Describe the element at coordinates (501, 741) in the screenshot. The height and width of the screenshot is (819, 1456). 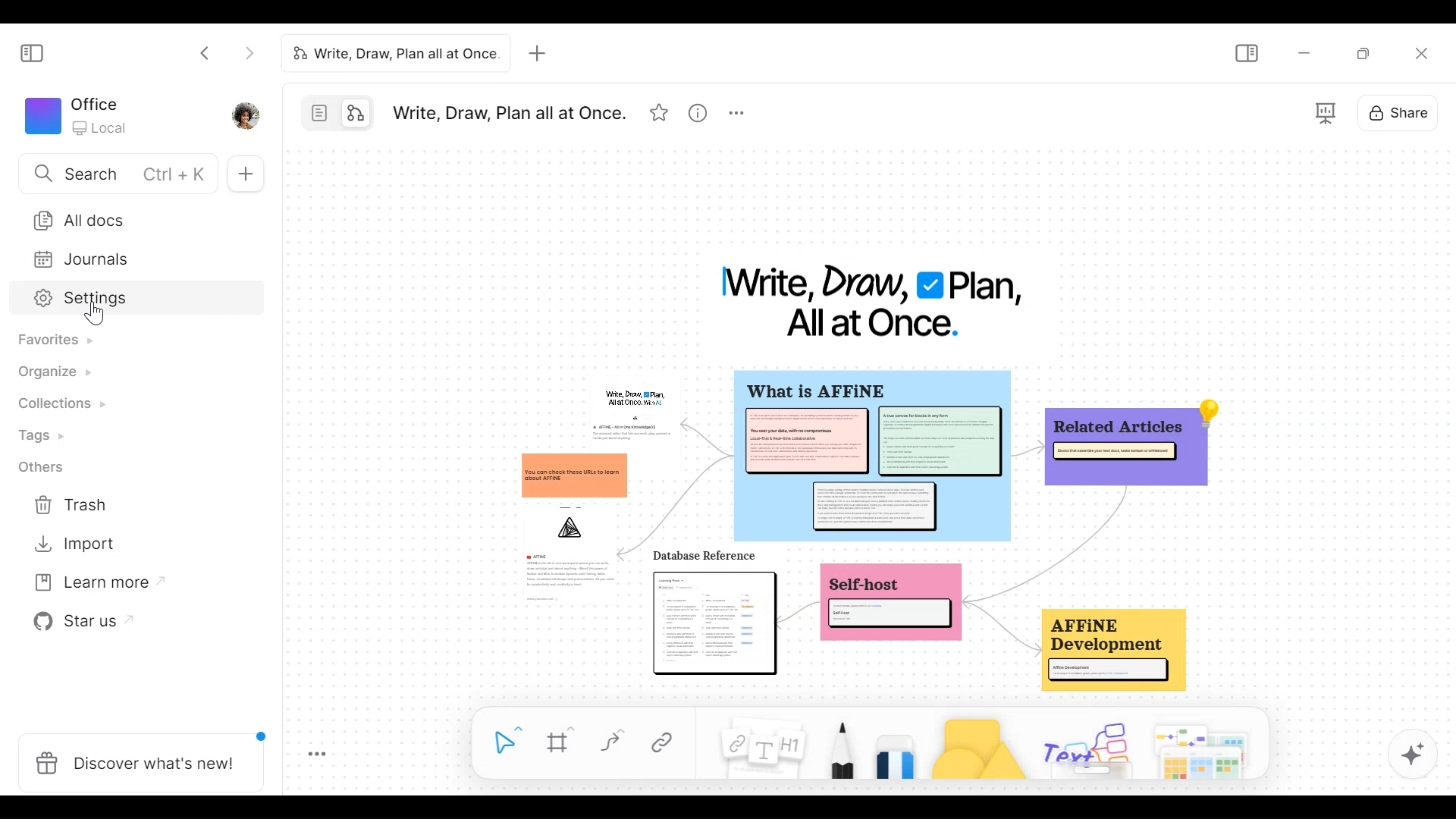
I see `Select` at that location.